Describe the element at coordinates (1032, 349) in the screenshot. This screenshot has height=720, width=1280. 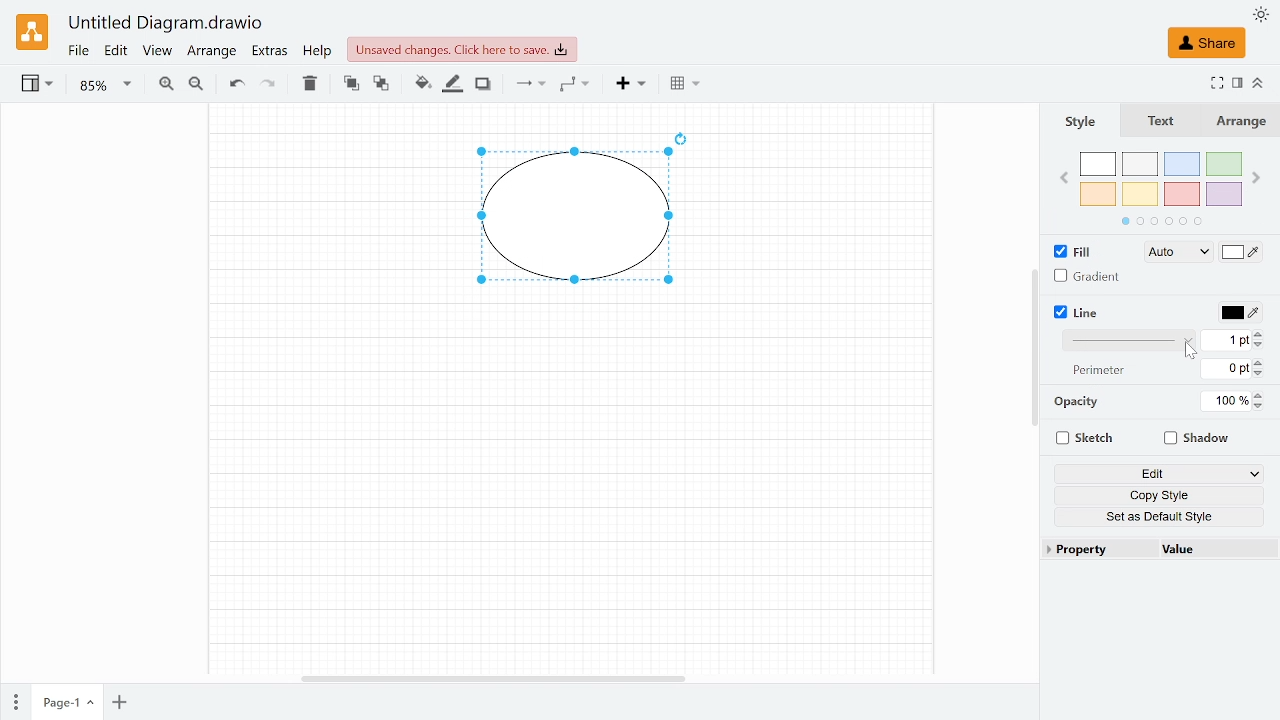
I see `scroll bar` at that location.